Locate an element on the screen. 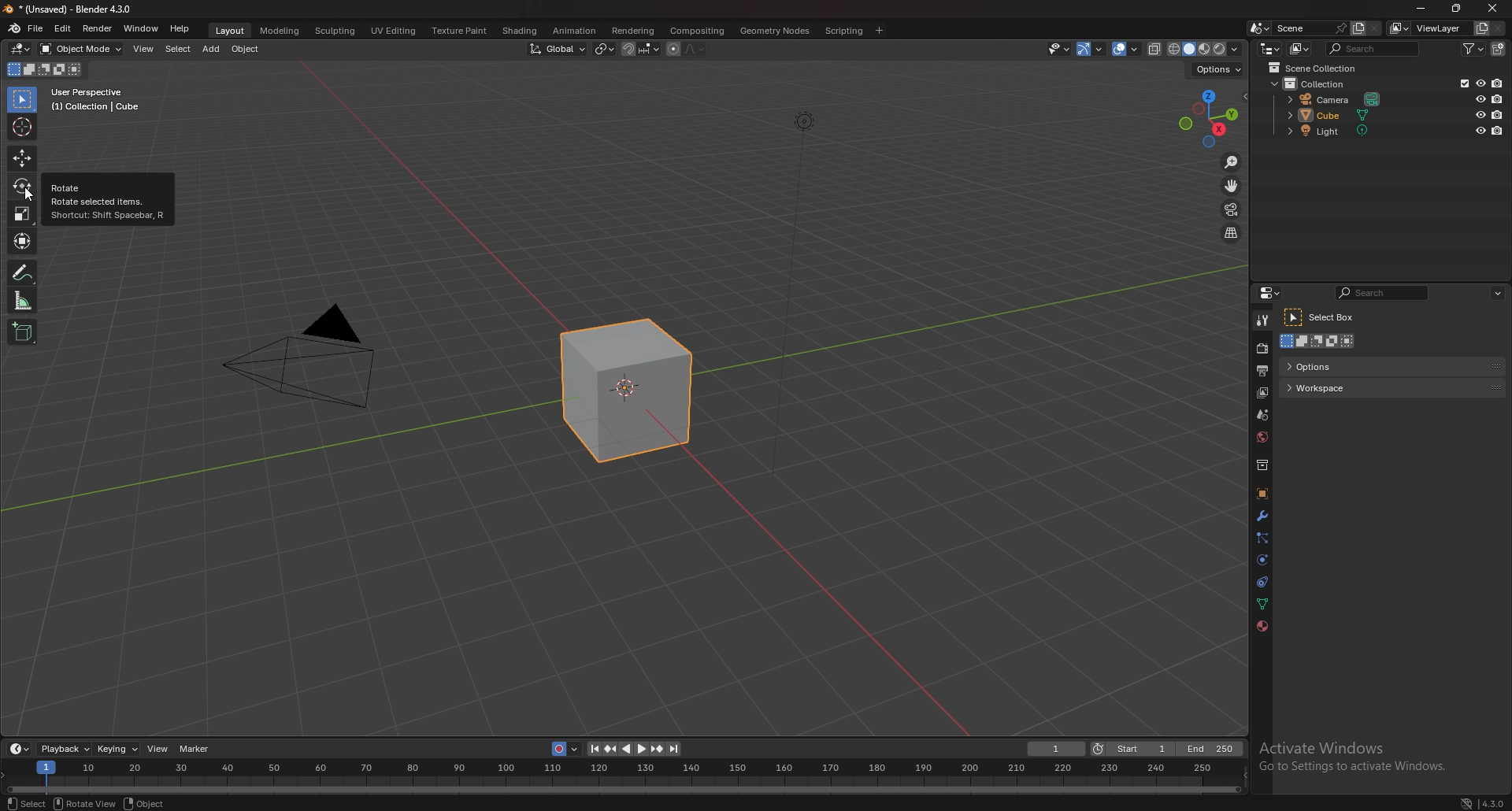 This screenshot has height=811, width=1512. scene is located at coordinates (1311, 28).